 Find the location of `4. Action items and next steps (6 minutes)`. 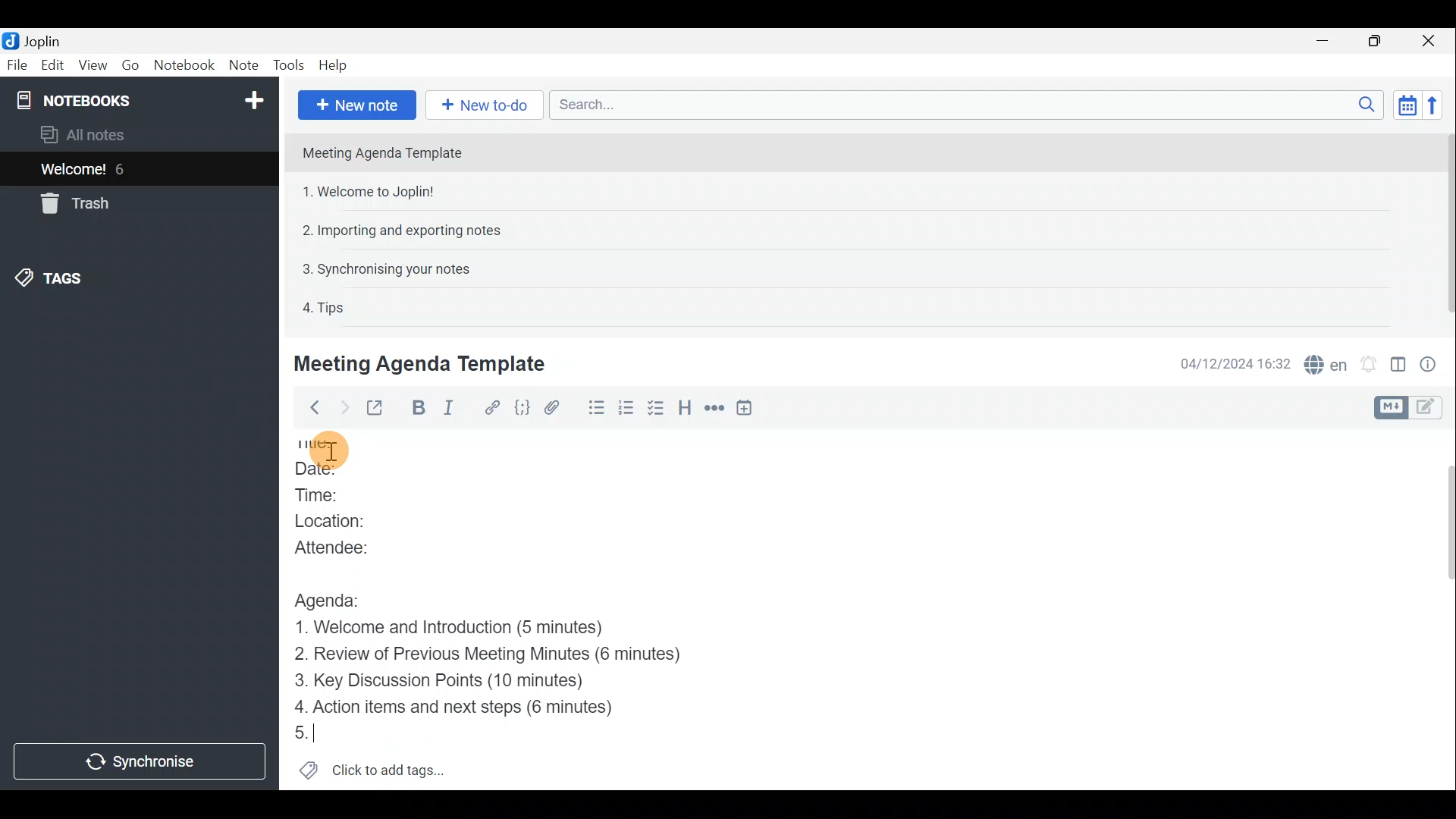

4. Action items and next steps (6 minutes) is located at coordinates (479, 708).